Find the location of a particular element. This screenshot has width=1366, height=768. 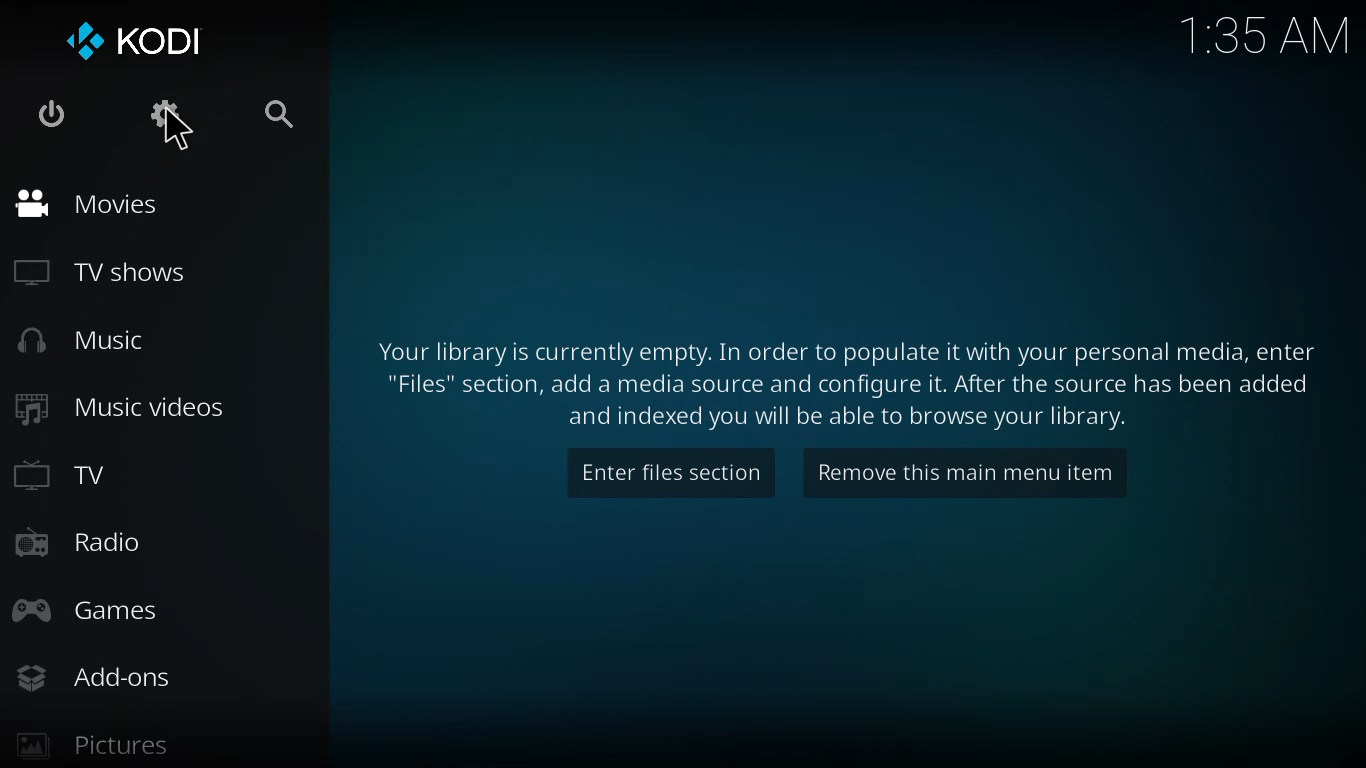

tv is located at coordinates (62, 477).